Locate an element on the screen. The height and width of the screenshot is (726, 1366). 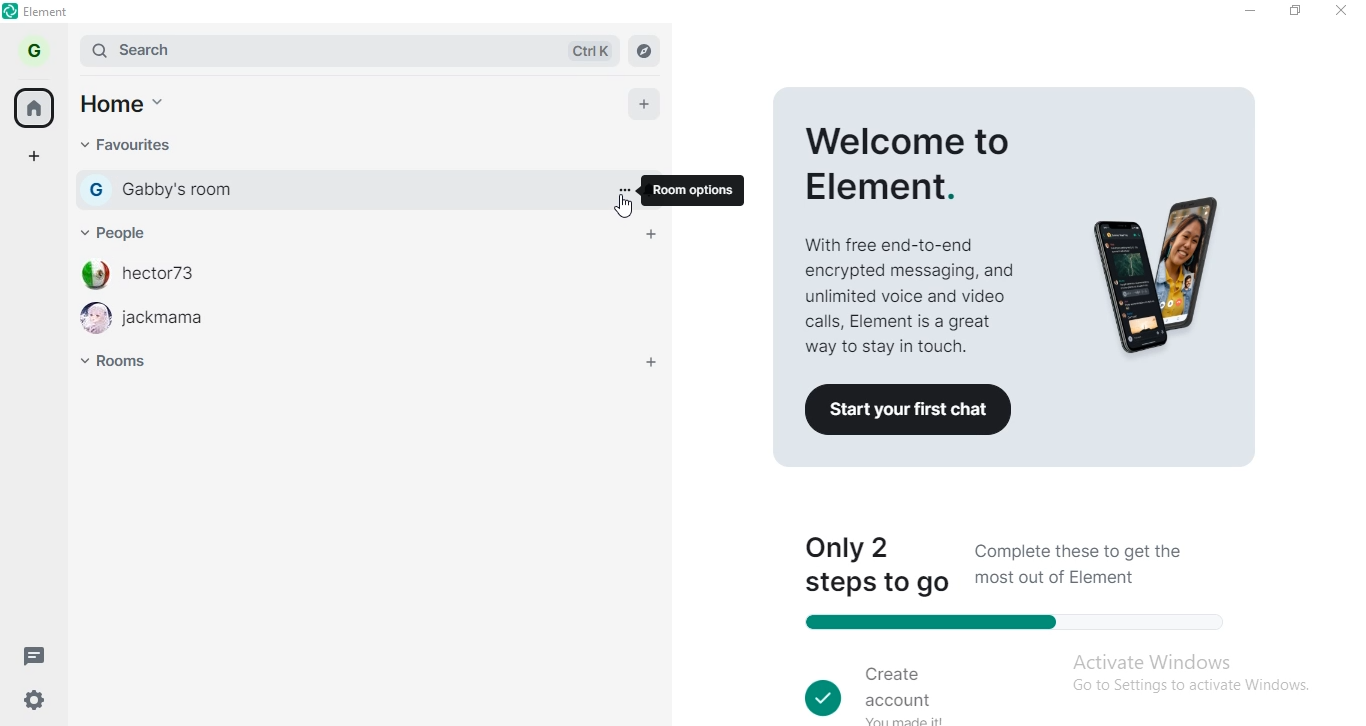
settings is located at coordinates (40, 702).